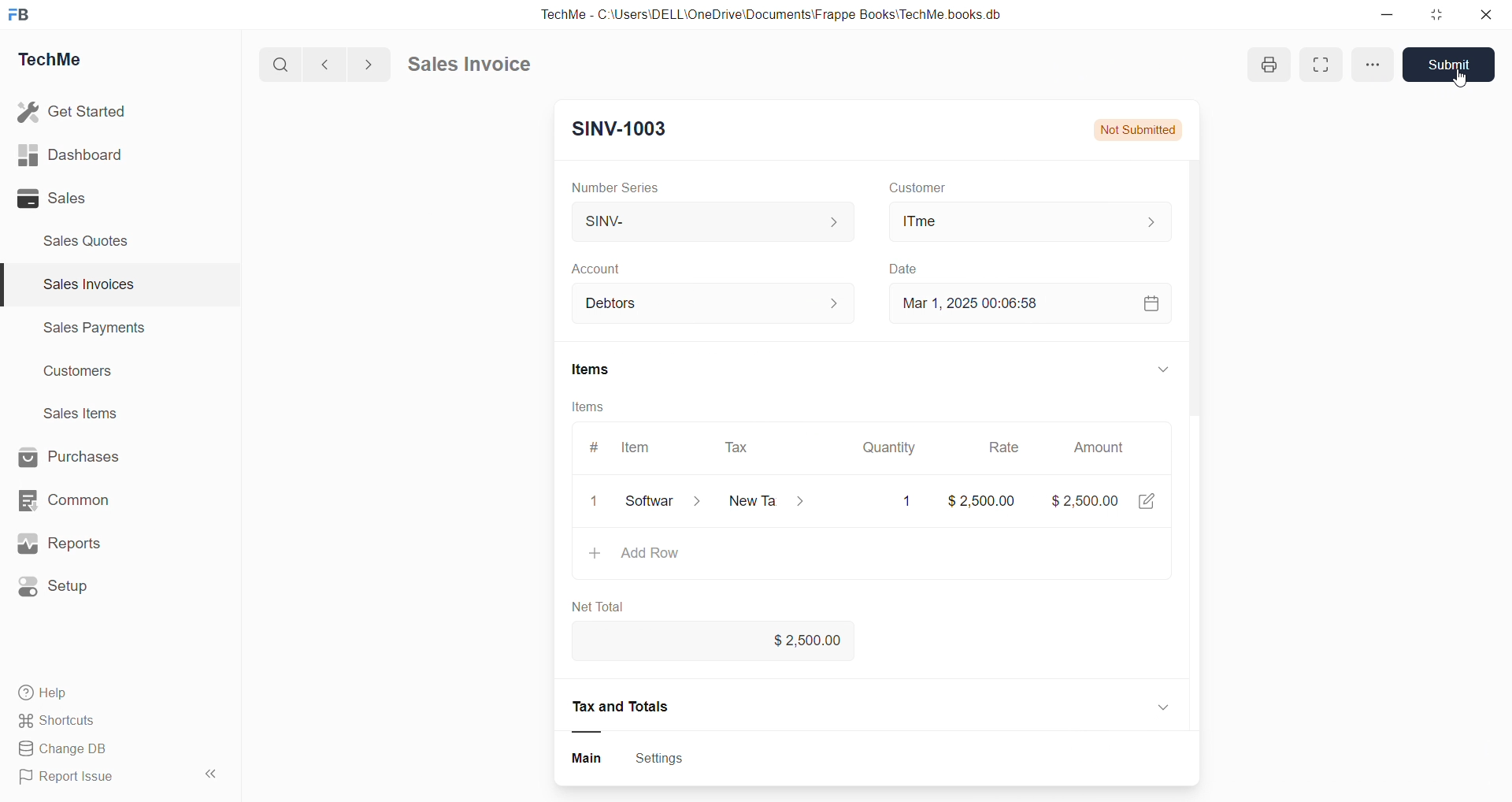 This screenshot has height=802, width=1512. What do you see at coordinates (598, 408) in the screenshot?
I see `Items` at bounding box center [598, 408].